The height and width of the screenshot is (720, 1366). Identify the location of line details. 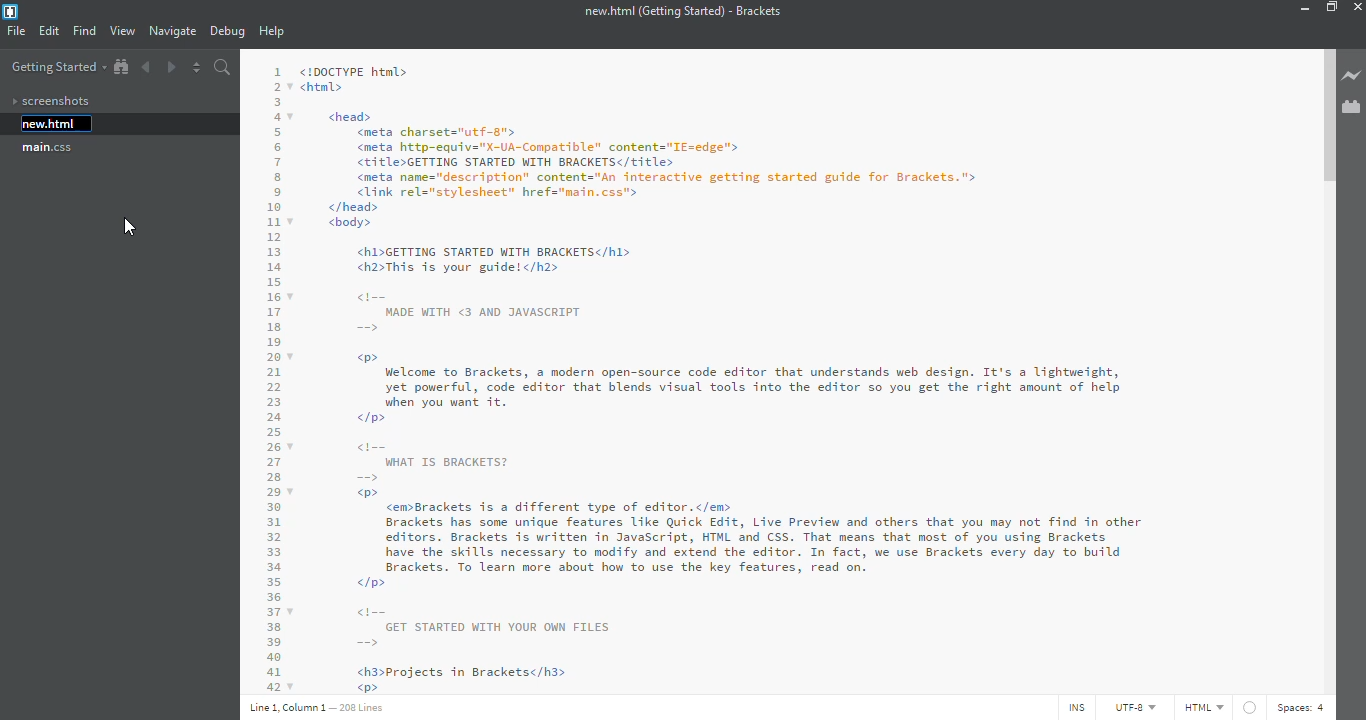
(315, 707).